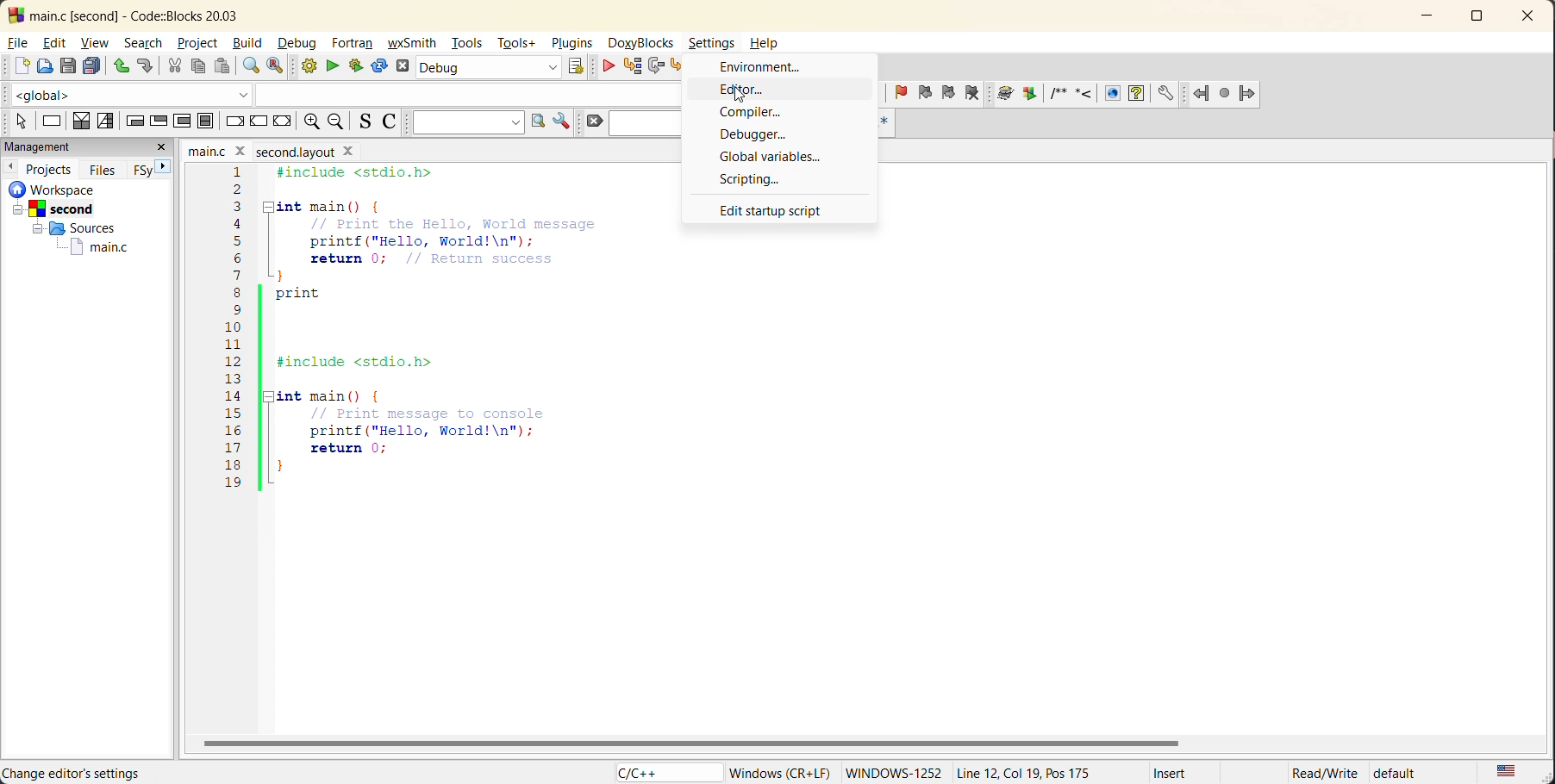 This screenshot has height=784, width=1555. I want to click on run search, so click(538, 122).